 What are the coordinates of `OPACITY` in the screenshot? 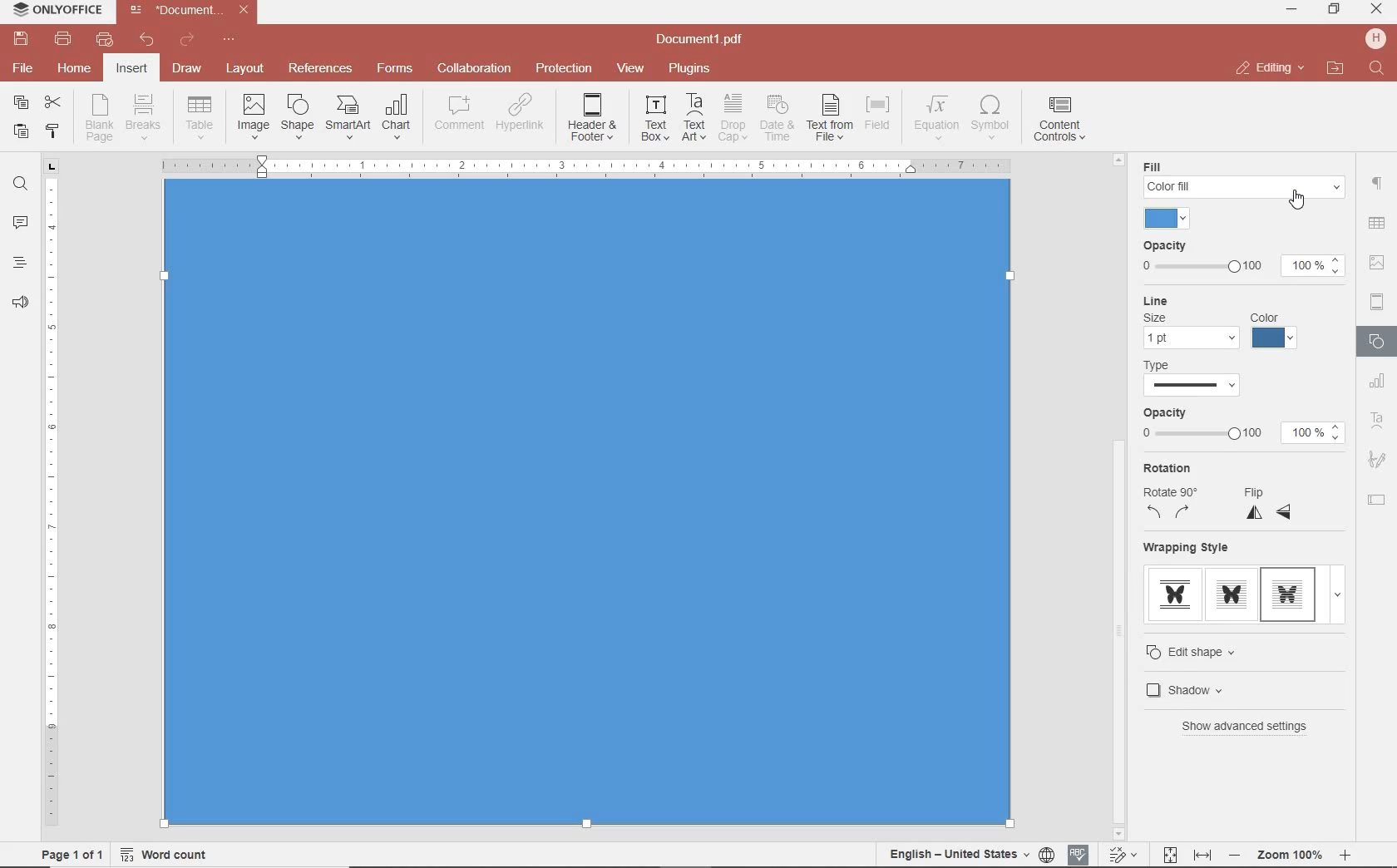 It's located at (1241, 429).